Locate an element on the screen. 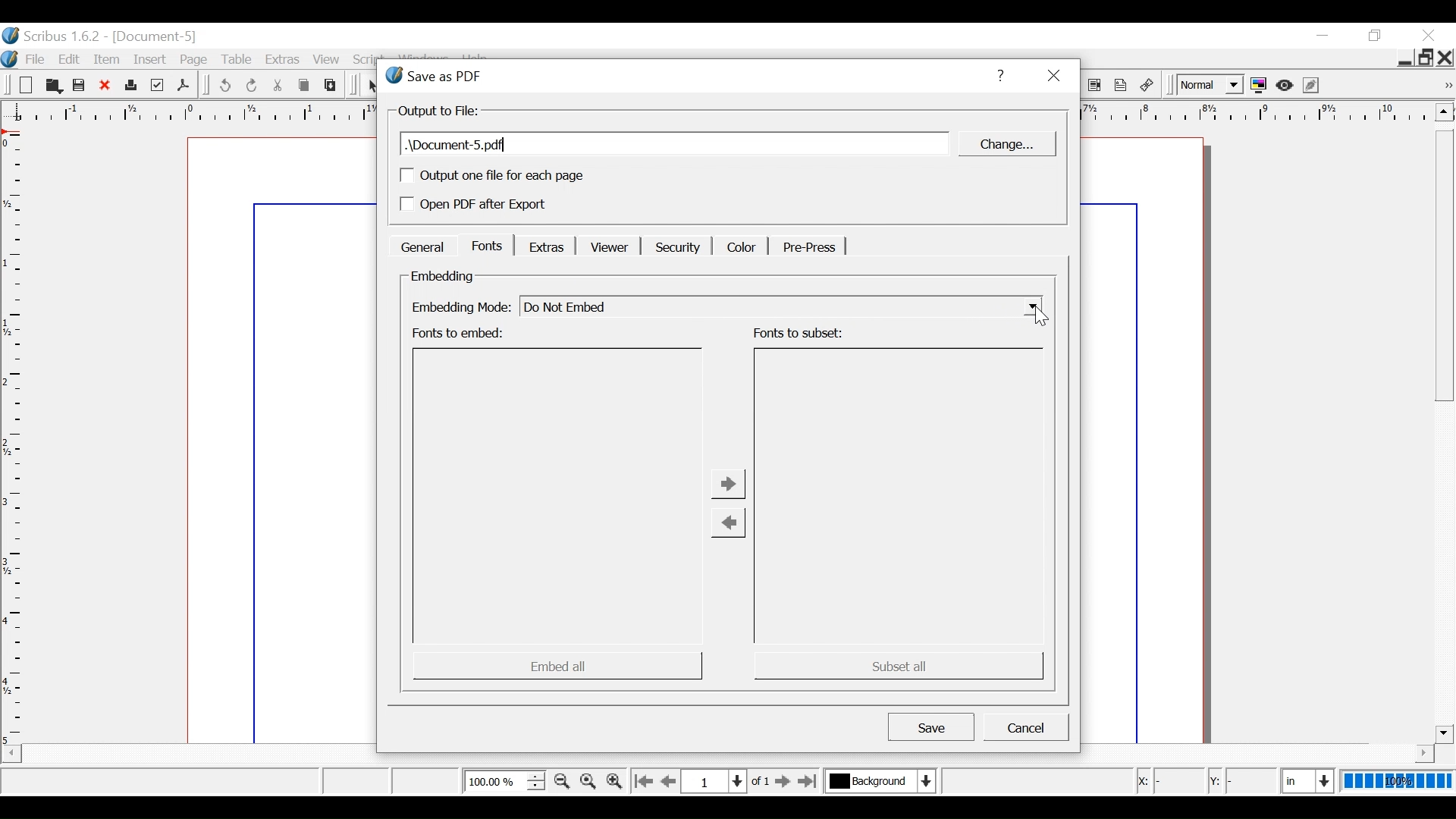 This screenshot has height=819, width=1456. General is located at coordinates (422, 246).